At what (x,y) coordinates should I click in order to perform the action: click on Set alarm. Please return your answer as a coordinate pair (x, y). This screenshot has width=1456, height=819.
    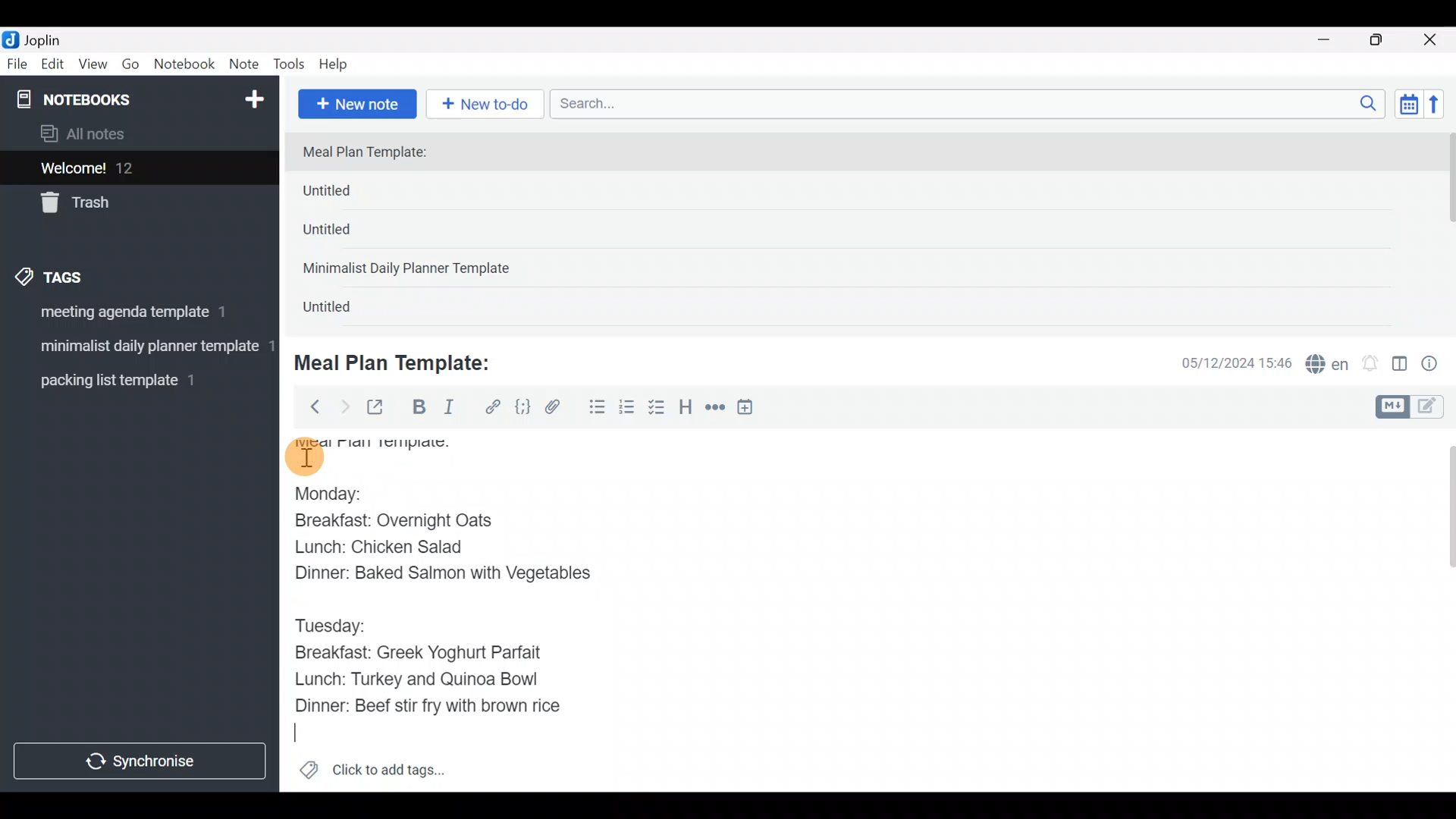
    Looking at the image, I should click on (1371, 365).